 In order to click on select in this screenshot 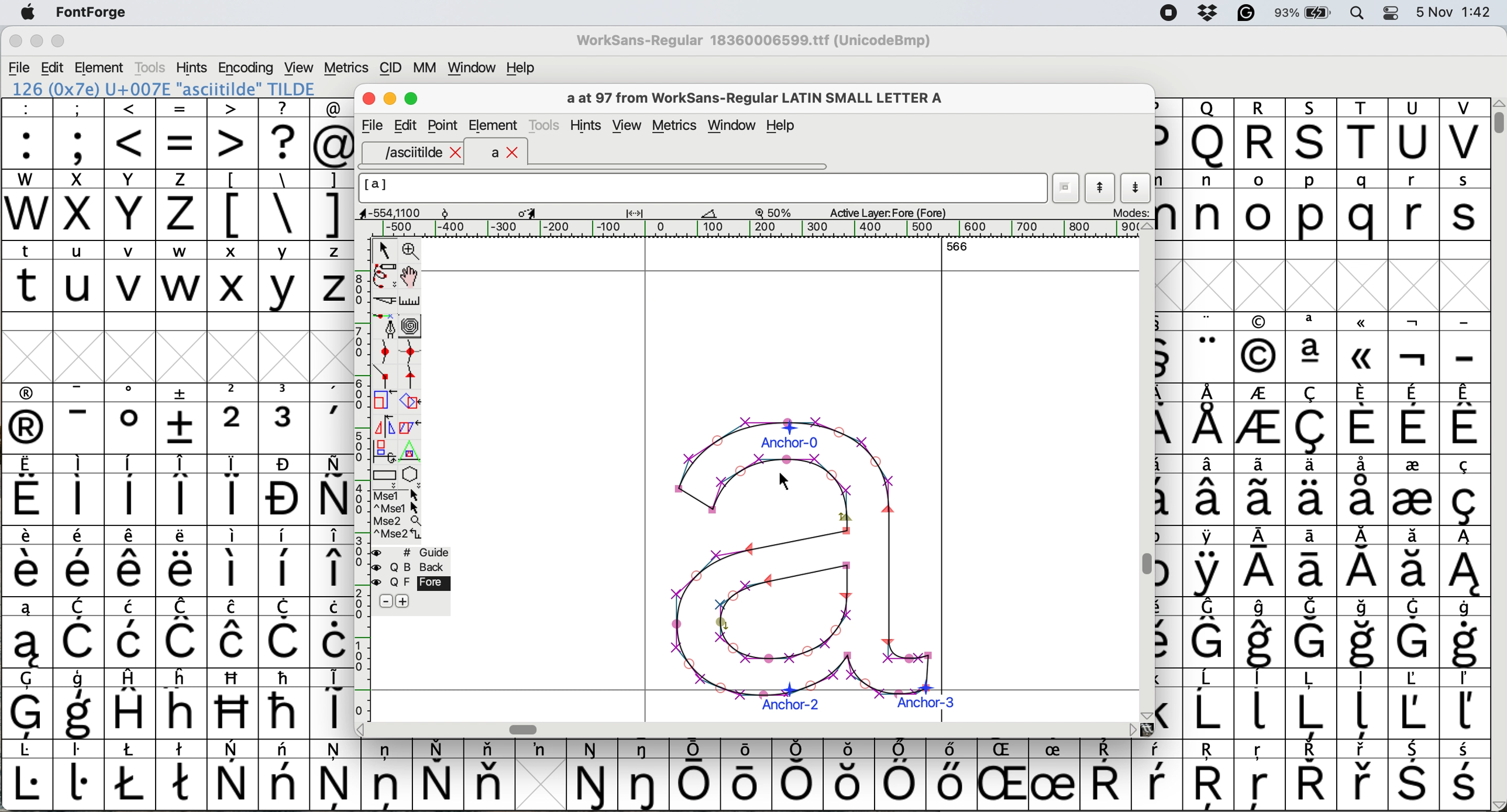, I will do `click(386, 248)`.